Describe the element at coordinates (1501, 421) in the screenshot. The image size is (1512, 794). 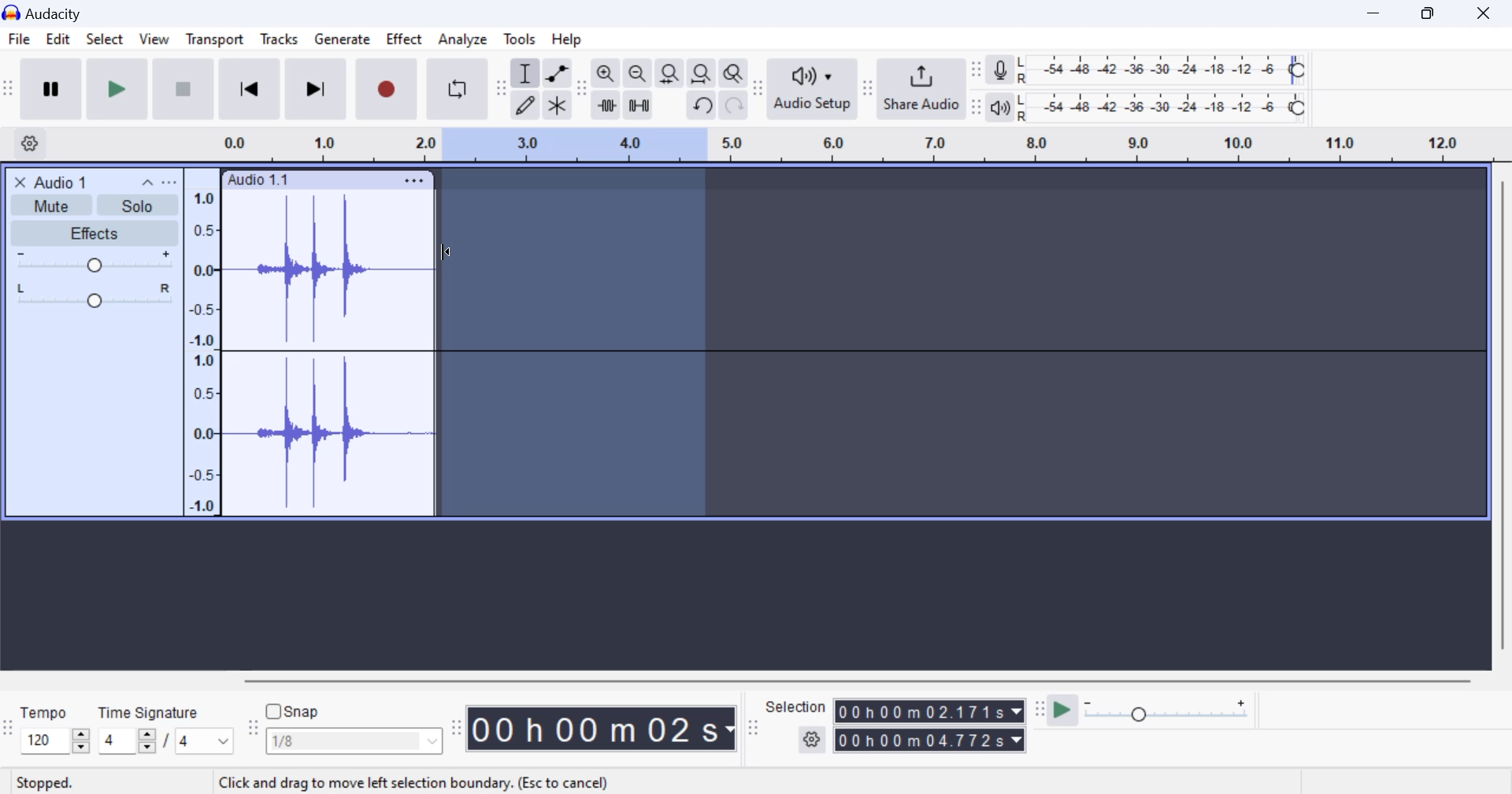
I see `vertical scrollbar` at that location.